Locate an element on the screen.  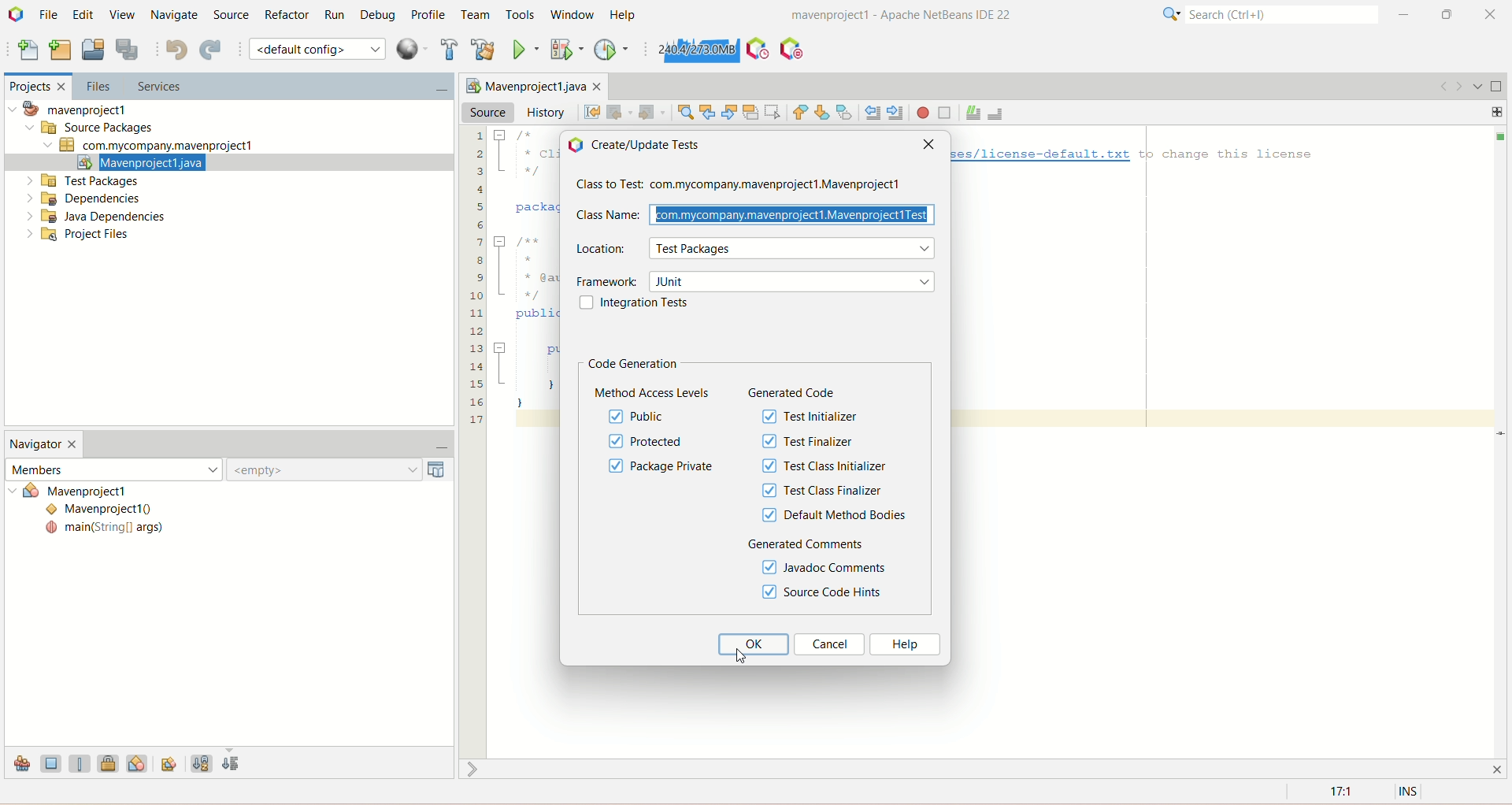
find selection is located at coordinates (684, 112).